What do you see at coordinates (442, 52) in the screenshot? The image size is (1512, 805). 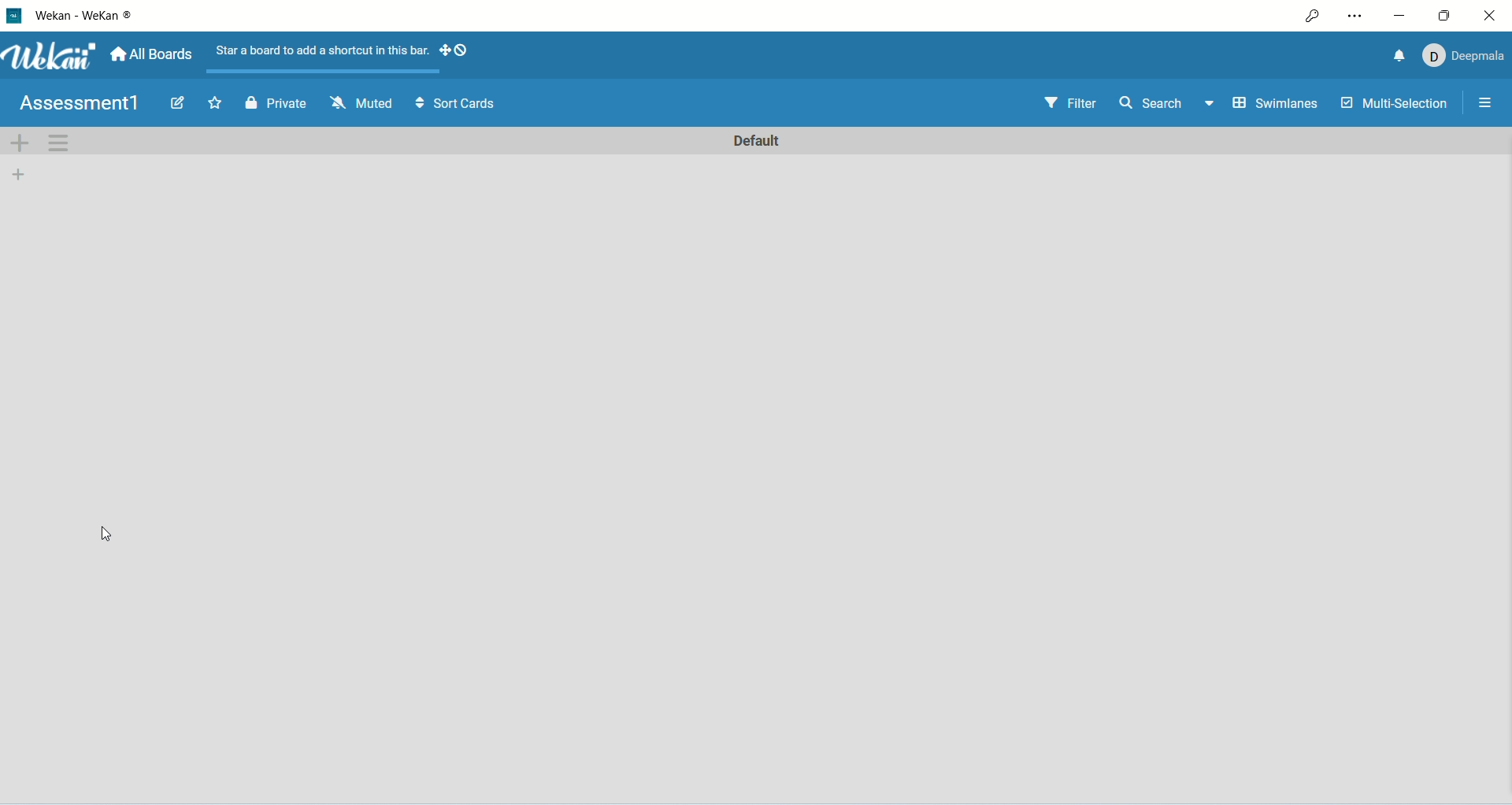 I see `show-desktop-drag-handles` at bounding box center [442, 52].